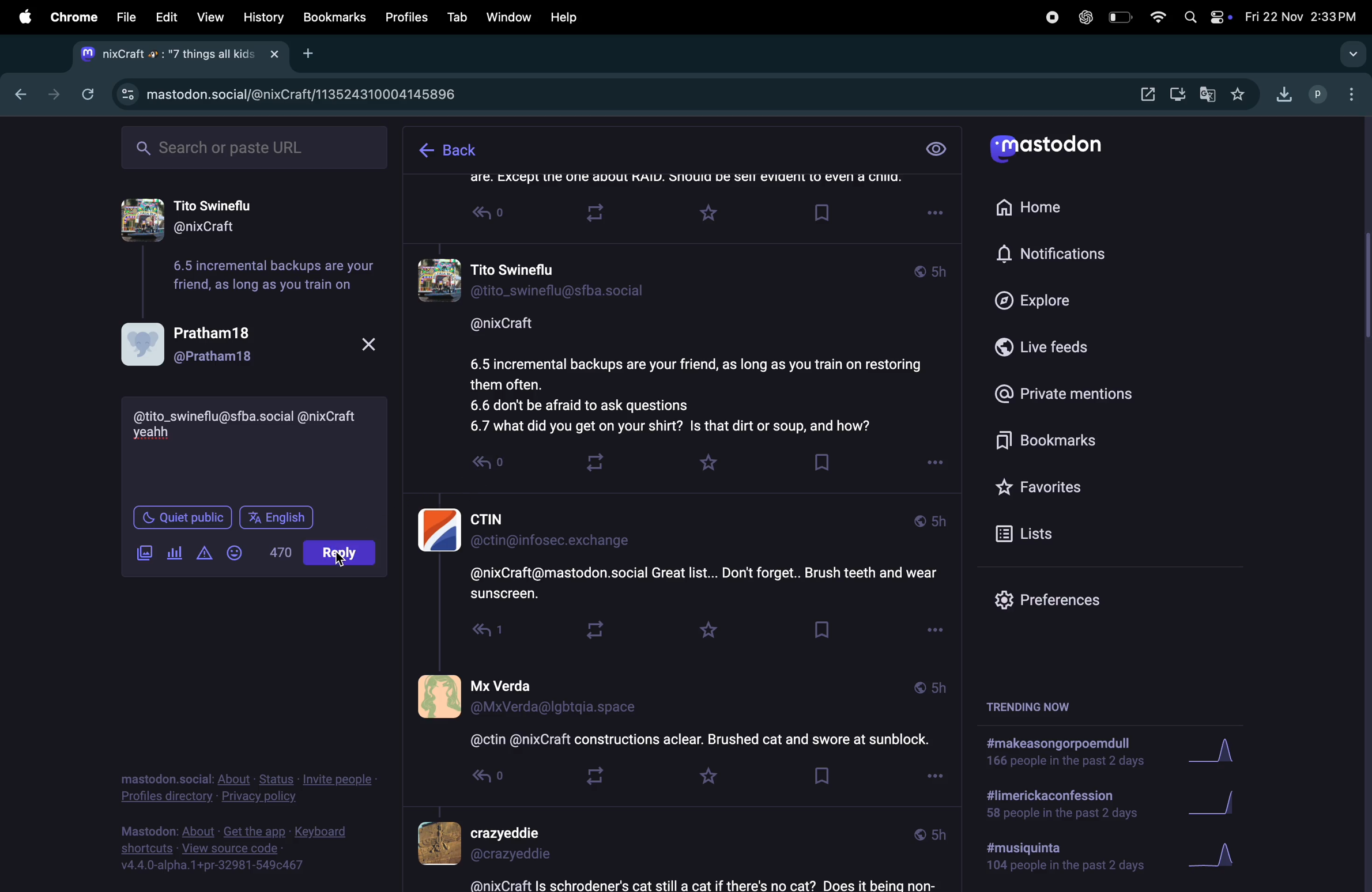  What do you see at coordinates (1239, 95) in the screenshot?
I see `favourites` at bounding box center [1239, 95].